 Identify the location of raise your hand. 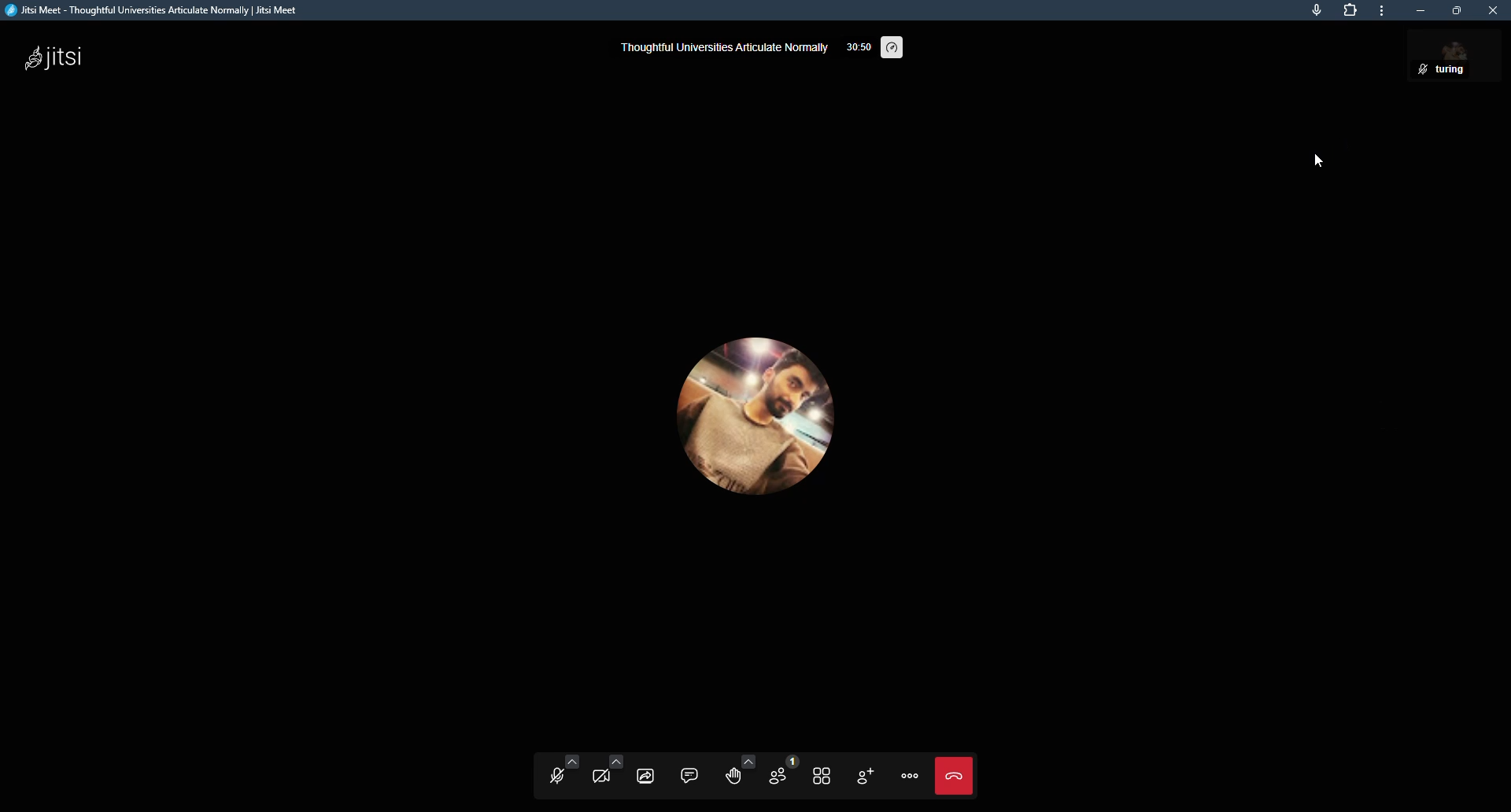
(734, 771).